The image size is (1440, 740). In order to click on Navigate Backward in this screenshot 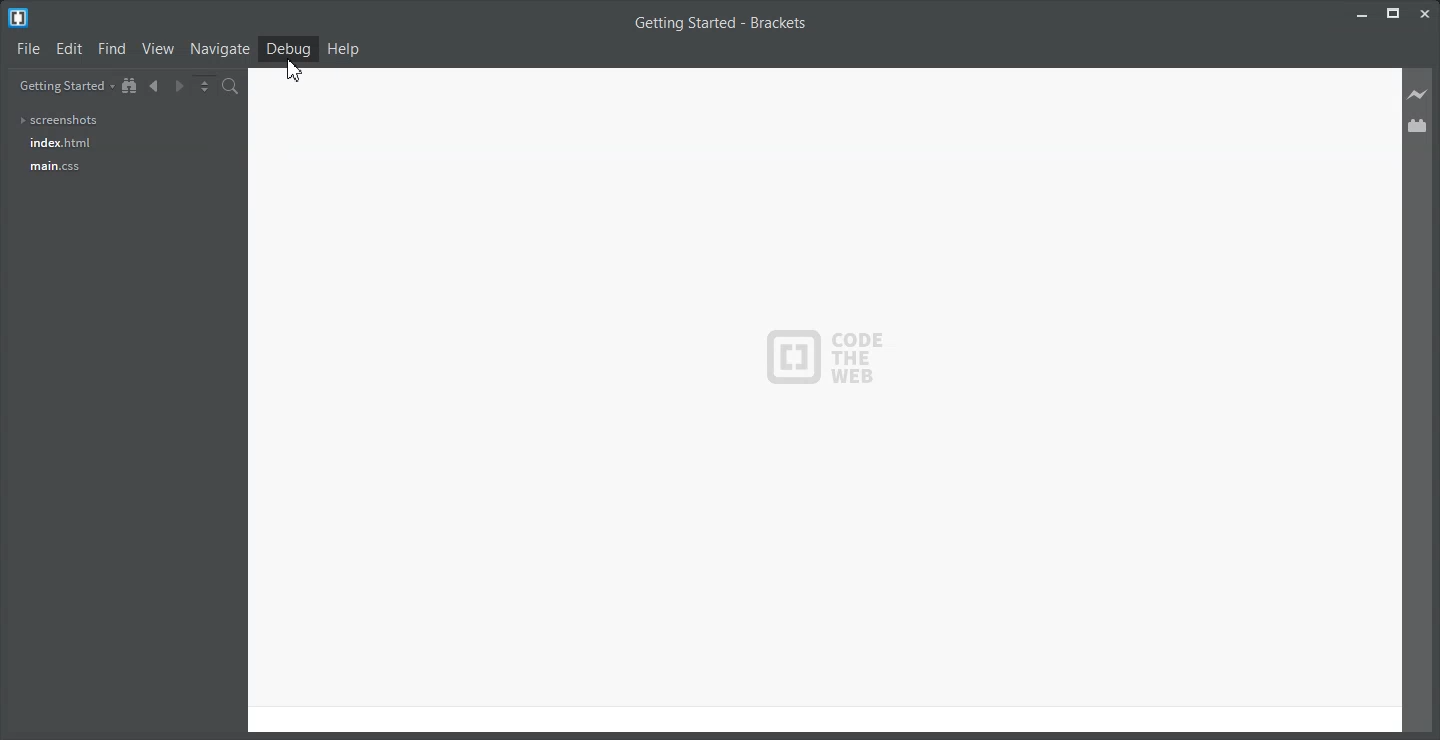, I will do `click(154, 86)`.